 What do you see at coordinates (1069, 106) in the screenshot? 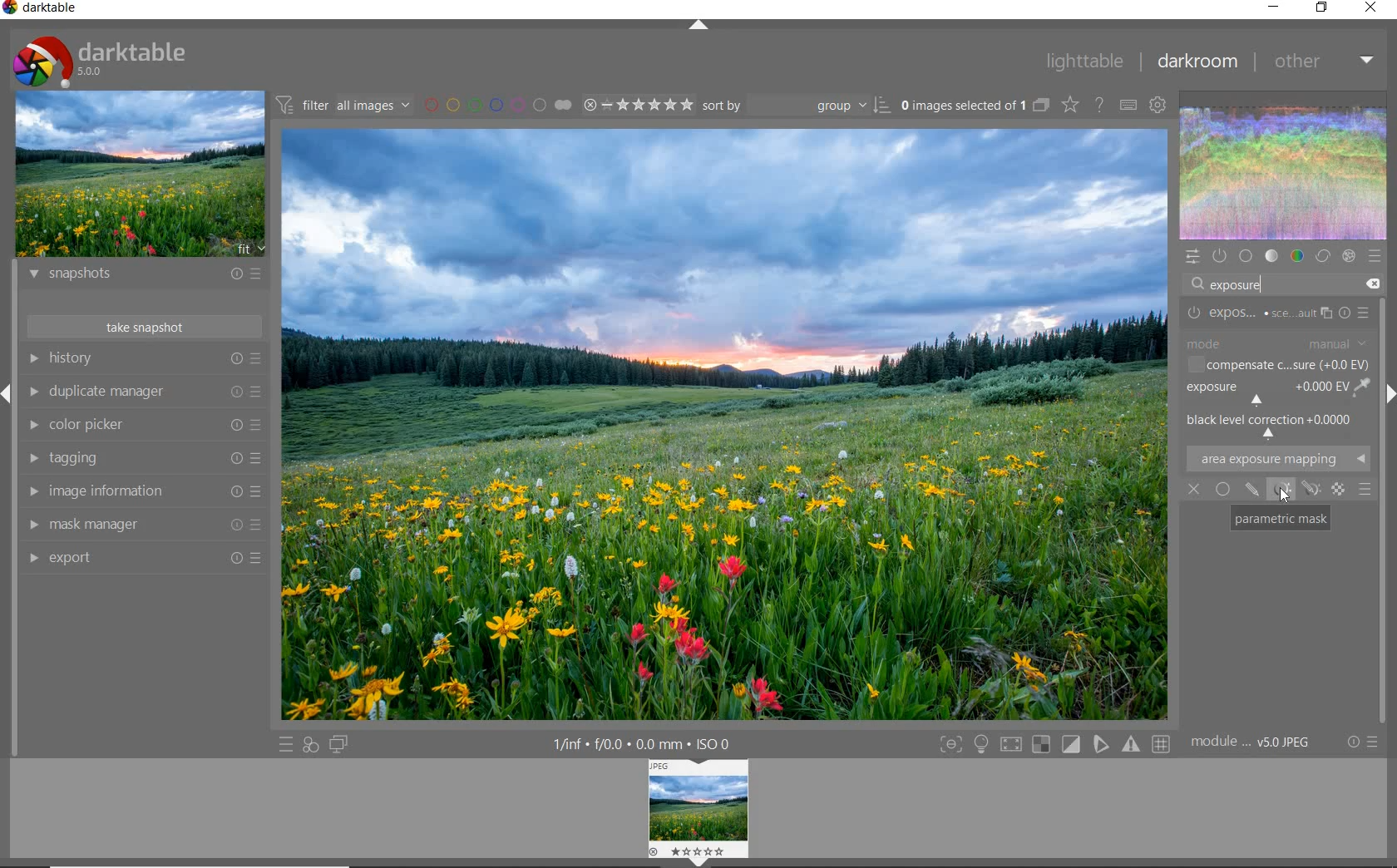
I see `change overlays shown on thumbnails` at bounding box center [1069, 106].